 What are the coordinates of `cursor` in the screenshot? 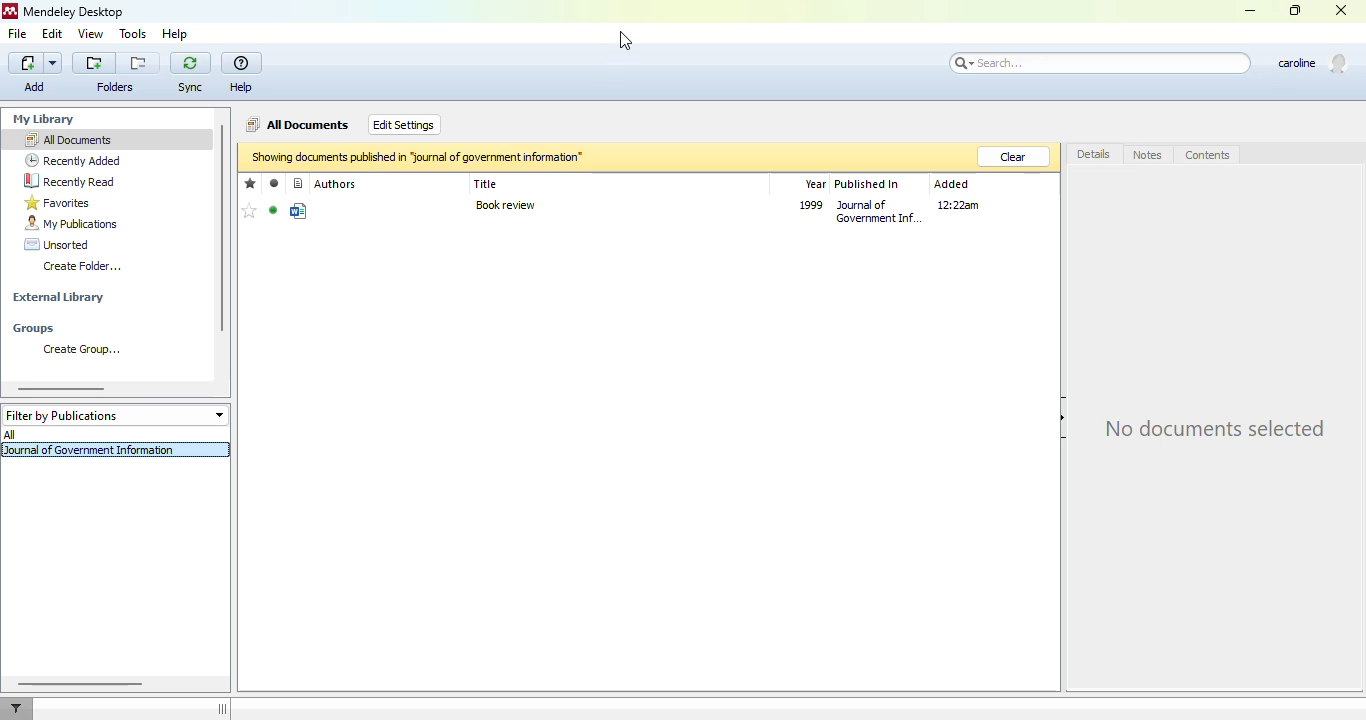 It's located at (626, 40).